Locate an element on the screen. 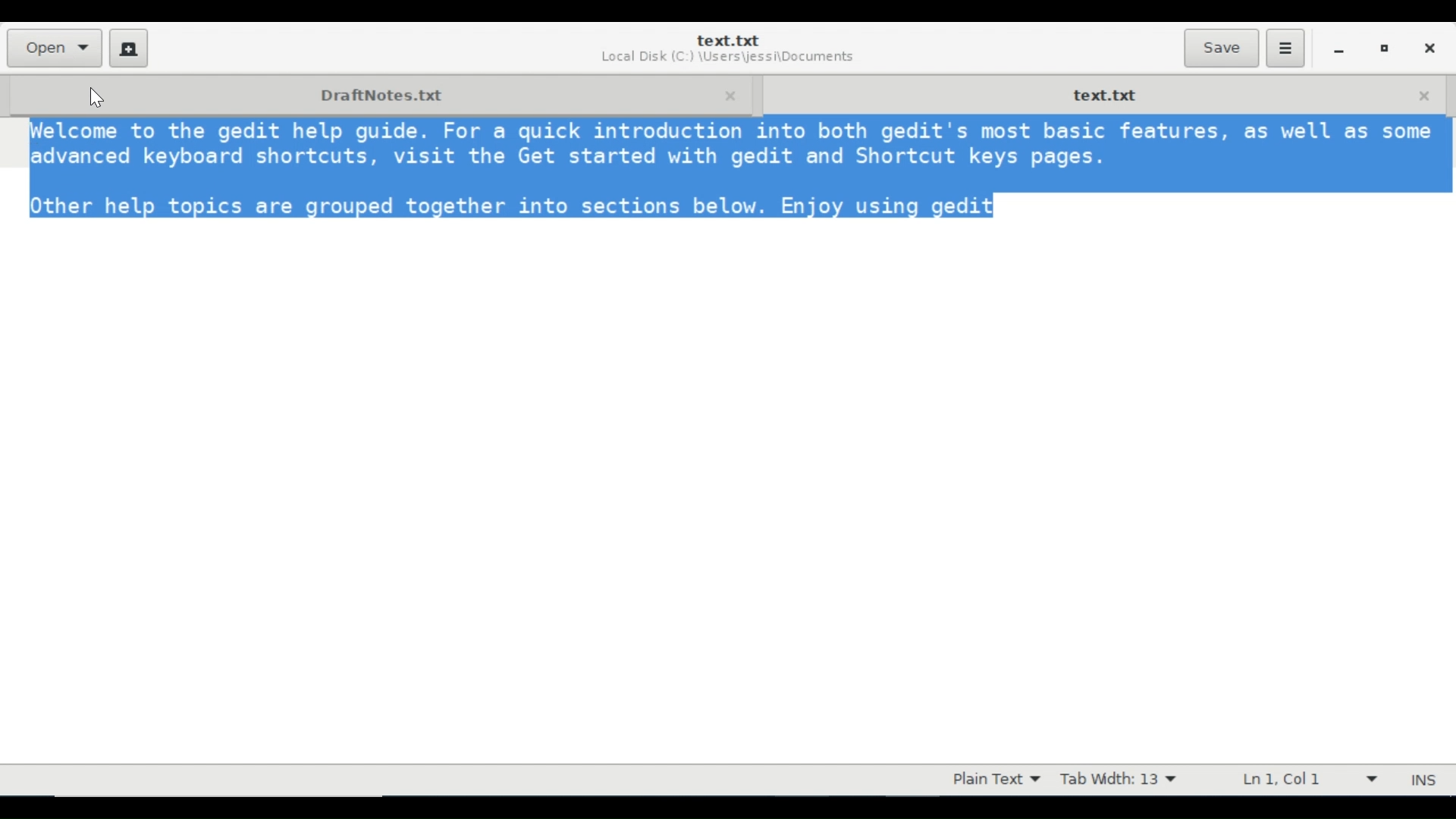  minimize is located at coordinates (1338, 48).